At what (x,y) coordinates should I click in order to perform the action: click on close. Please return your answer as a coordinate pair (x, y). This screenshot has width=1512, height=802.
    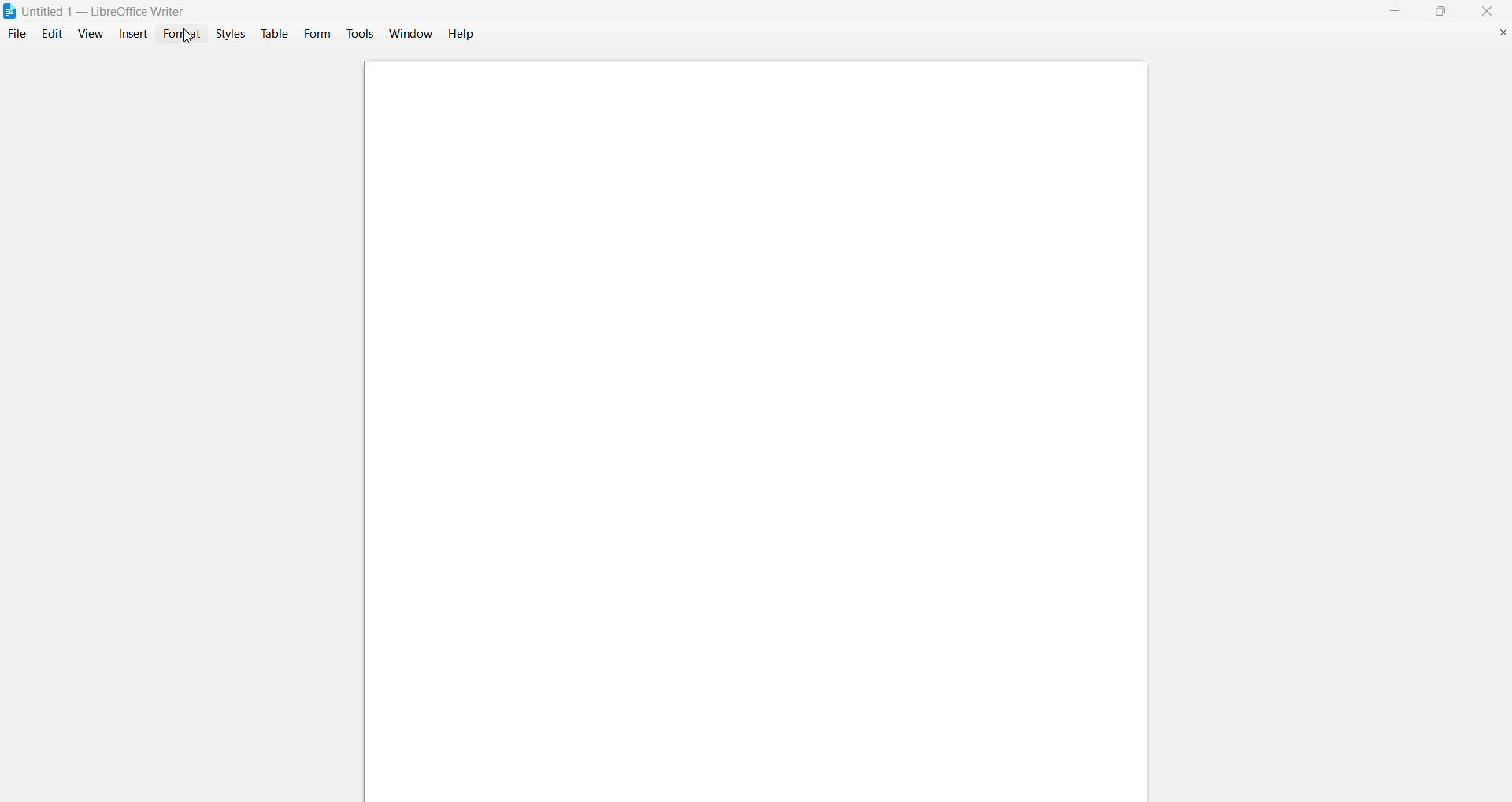
    Looking at the image, I should click on (1486, 11).